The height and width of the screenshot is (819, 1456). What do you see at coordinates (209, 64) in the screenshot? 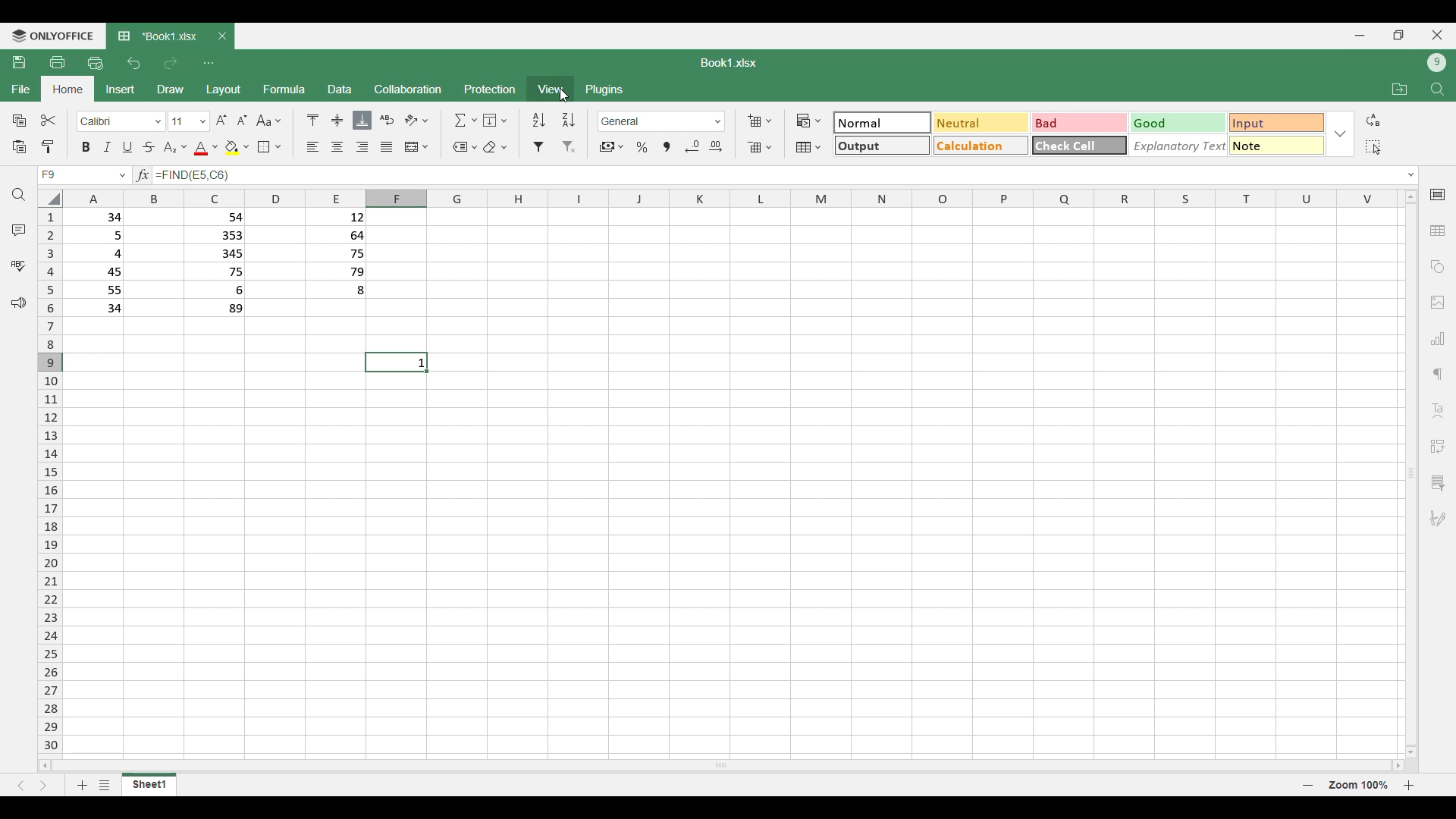
I see `Customize quick access` at bounding box center [209, 64].